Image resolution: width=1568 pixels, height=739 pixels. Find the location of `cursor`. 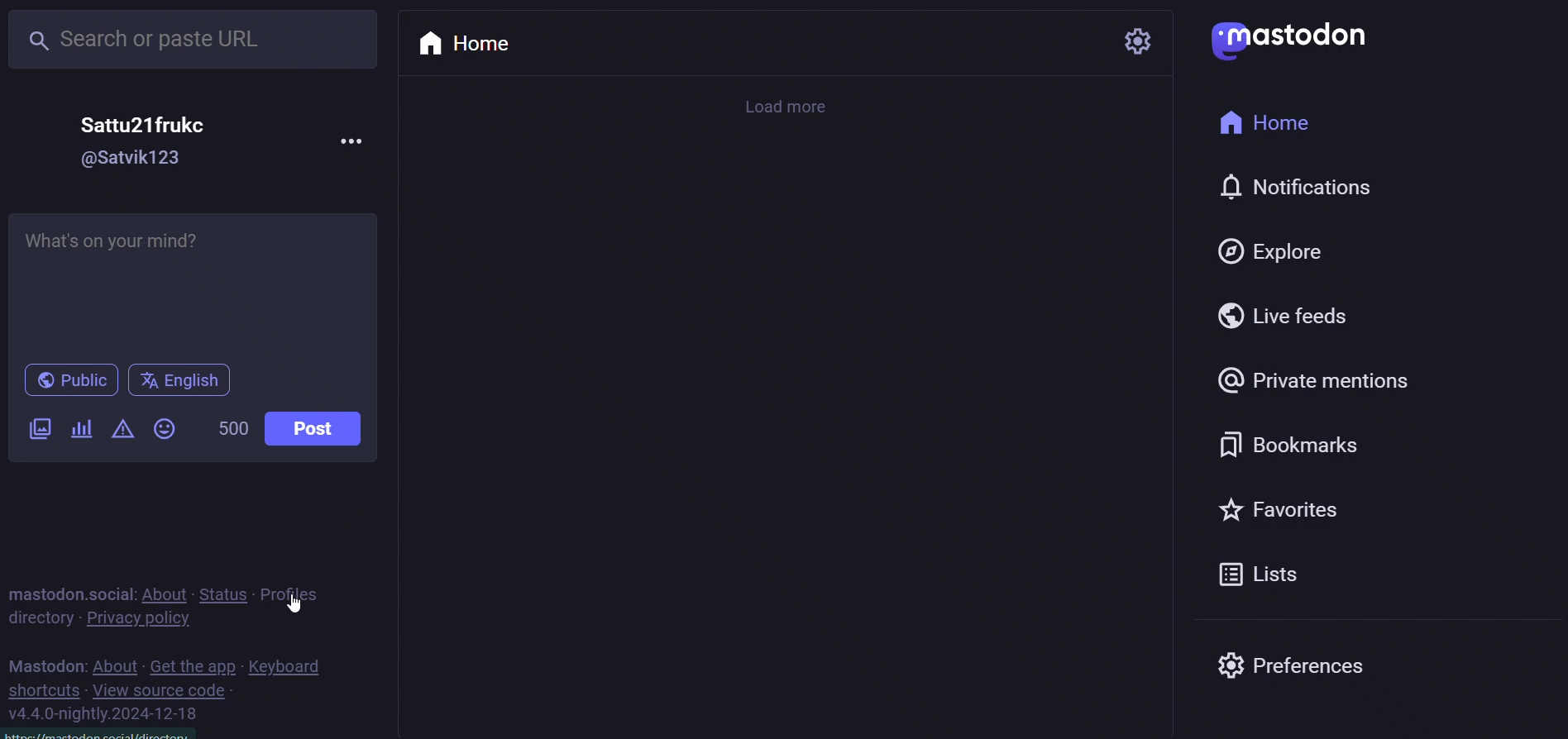

cursor is located at coordinates (299, 608).